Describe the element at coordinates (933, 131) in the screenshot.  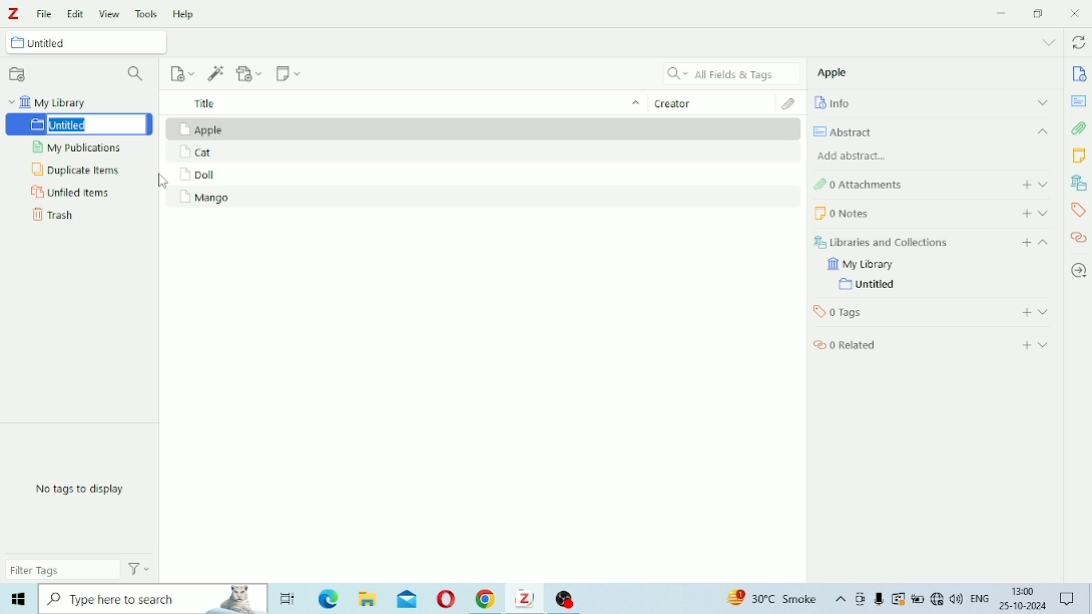
I see `Abstract` at that location.